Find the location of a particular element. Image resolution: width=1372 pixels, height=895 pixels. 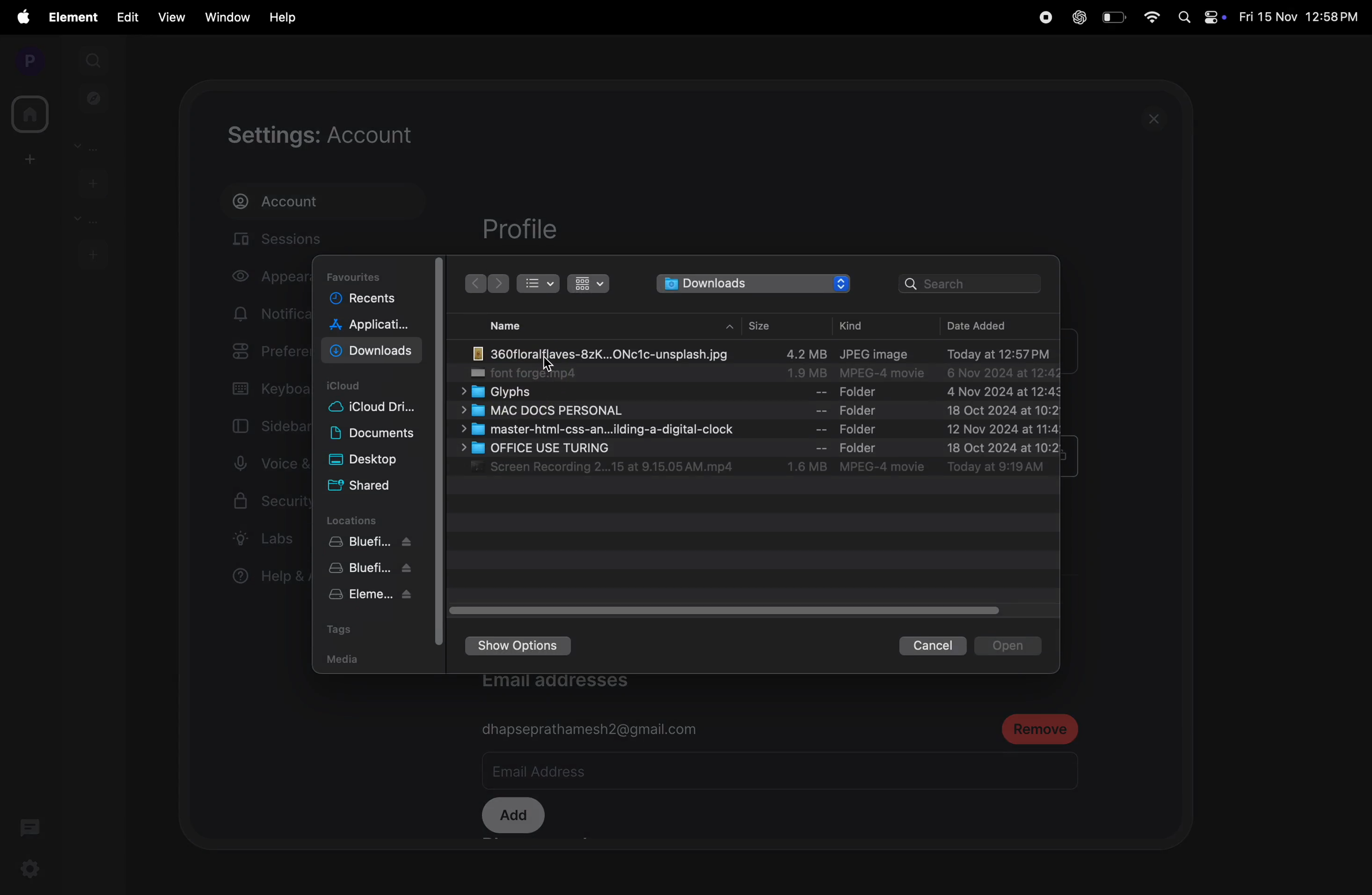

add people is located at coordinates (91, 182).